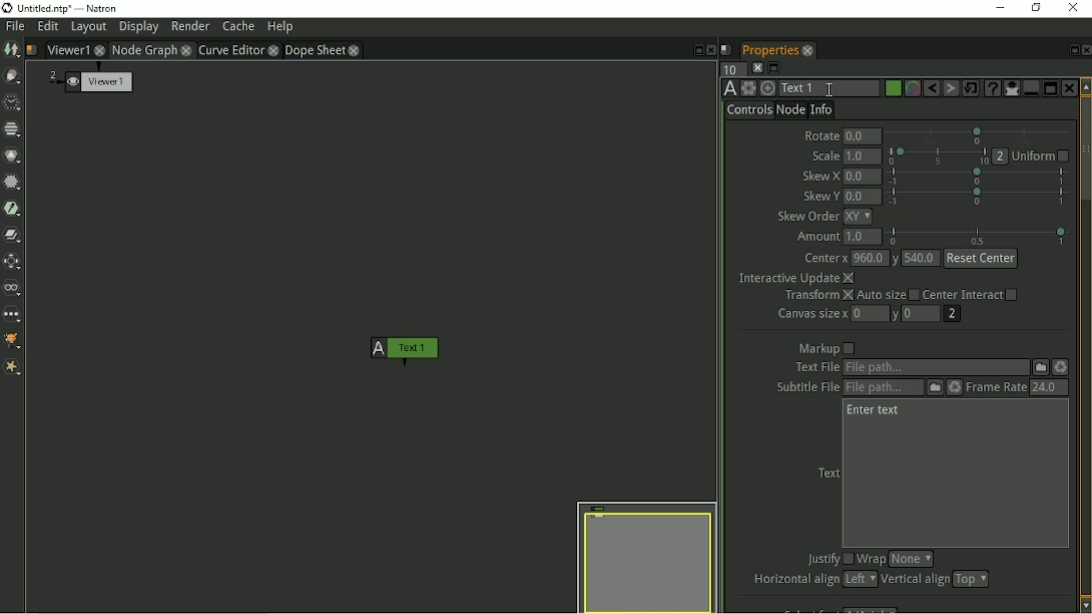 The height and width of the screenshot is (614, 1092). What do you see at coordinates (729, 70) in the screenshot?
I see `Maximum number of panels ` at bounding box center [729, 70].